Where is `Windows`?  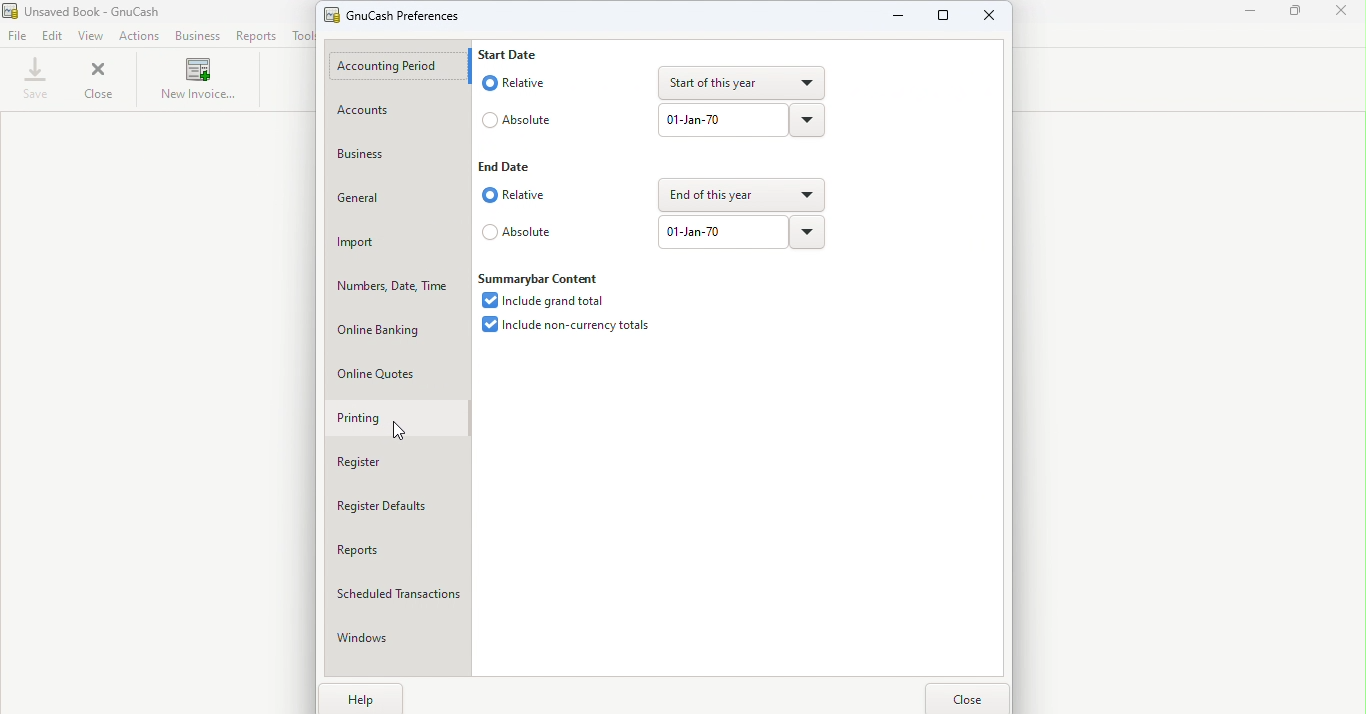 Windows is located at coordinates (396, 641).